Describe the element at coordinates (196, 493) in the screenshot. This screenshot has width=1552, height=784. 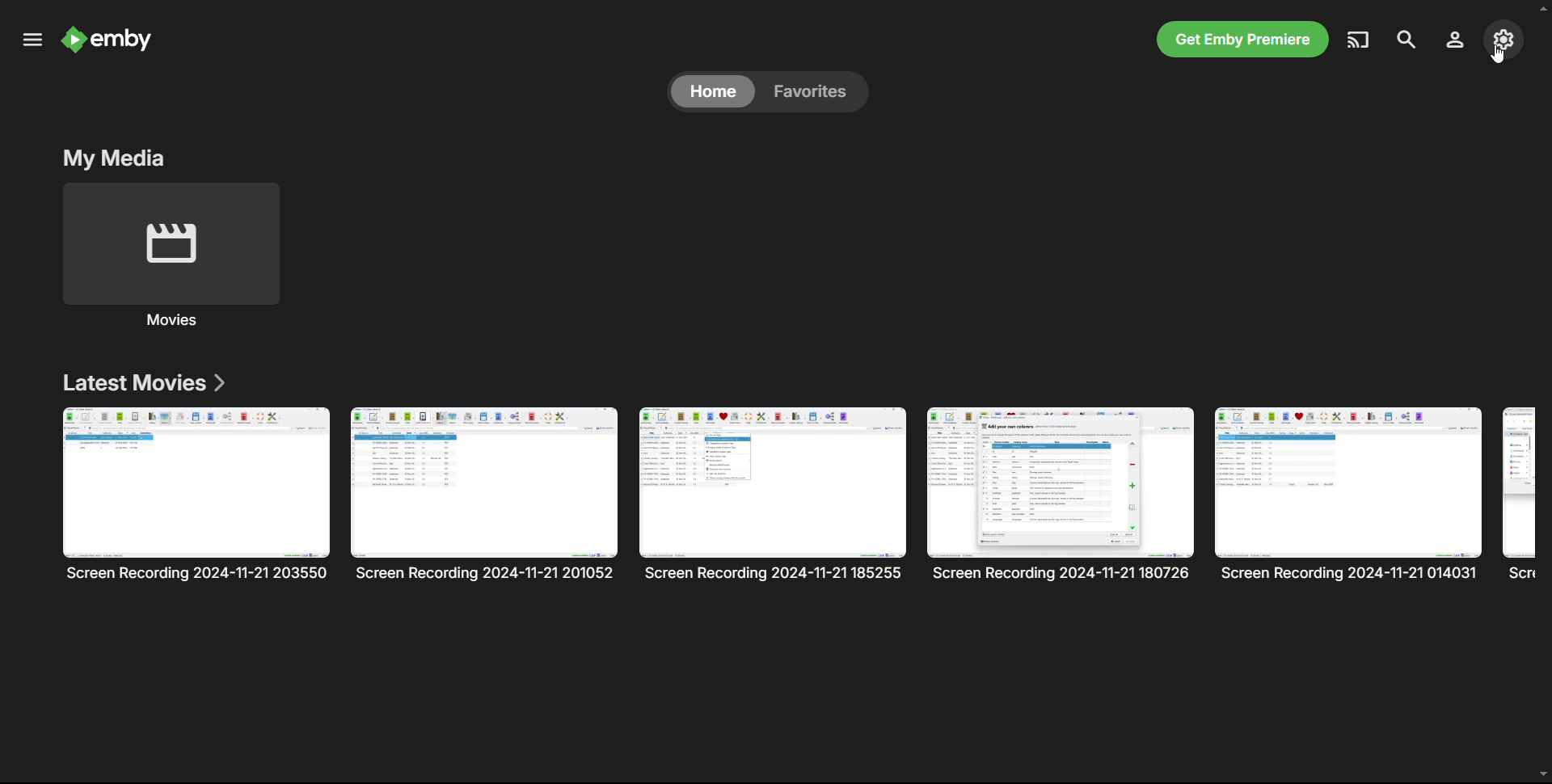
I see `Ll 00 bw HEE UX
Screen Recording 2024-11-21 203550` at that location.